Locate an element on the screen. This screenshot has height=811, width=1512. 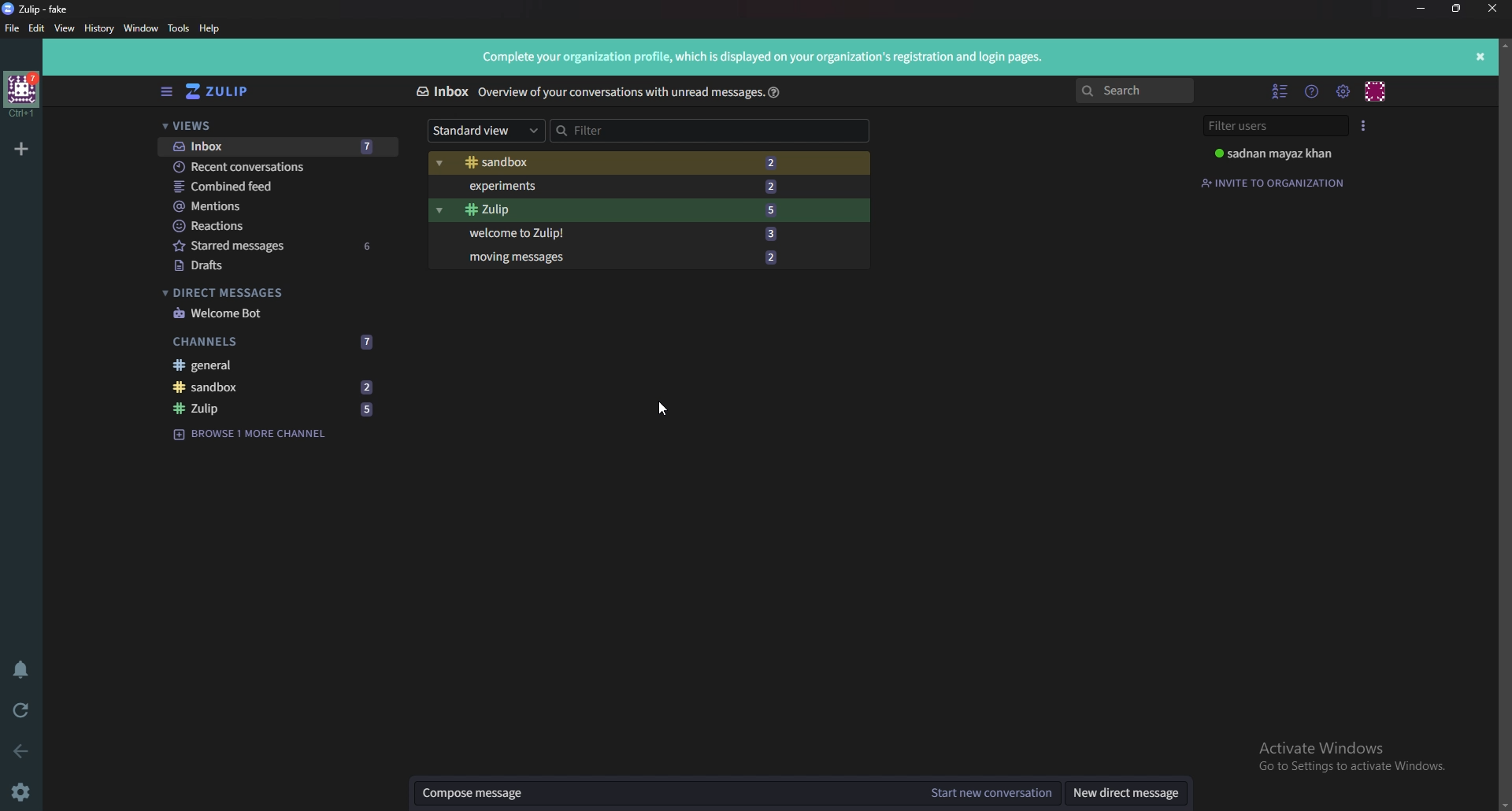
Cursor is located at coordinates (665, 409).